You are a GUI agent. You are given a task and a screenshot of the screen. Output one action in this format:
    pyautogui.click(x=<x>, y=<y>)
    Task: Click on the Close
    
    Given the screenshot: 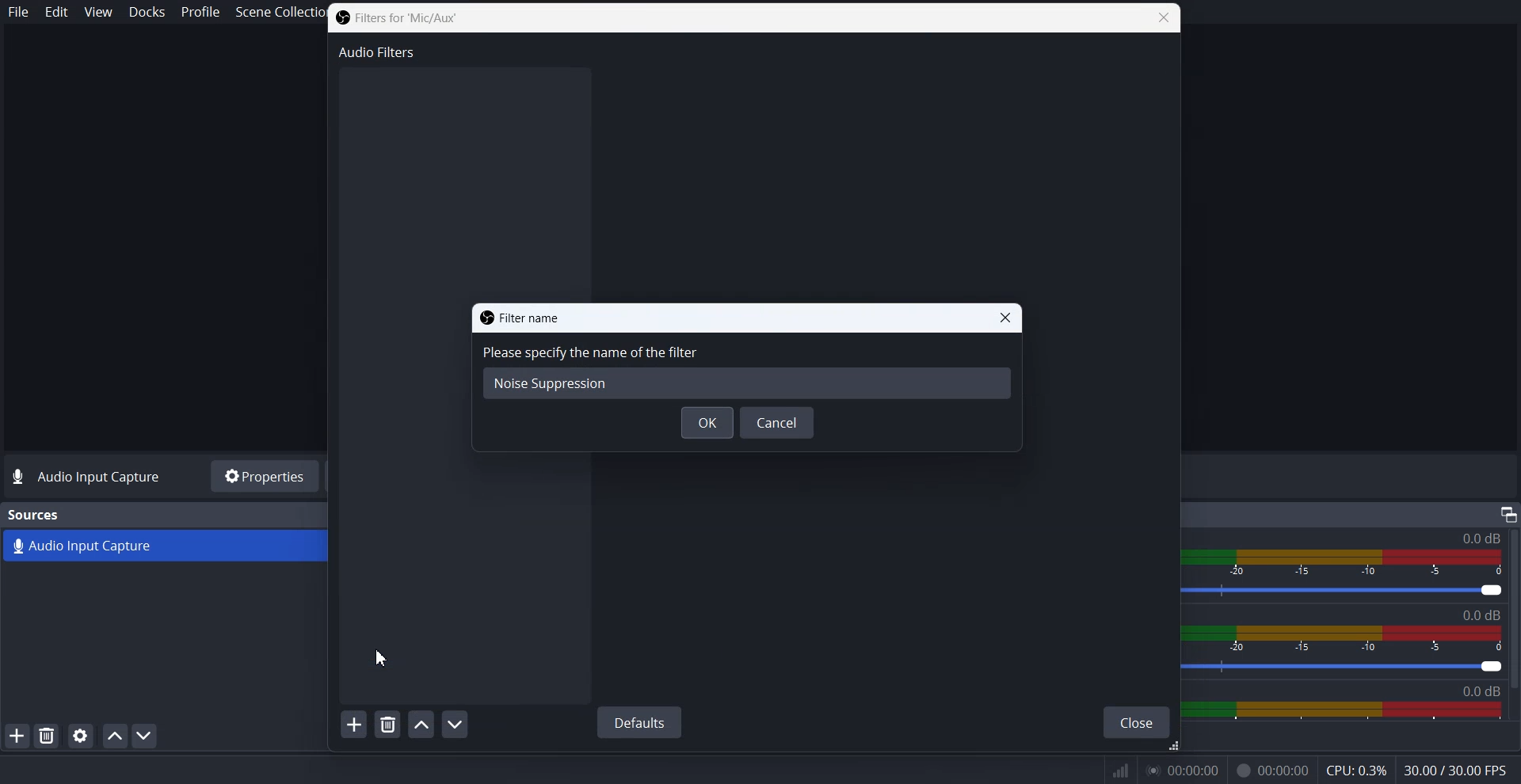 What is the action you would take?
    pyautogui.click(x=1137, y=723)
    